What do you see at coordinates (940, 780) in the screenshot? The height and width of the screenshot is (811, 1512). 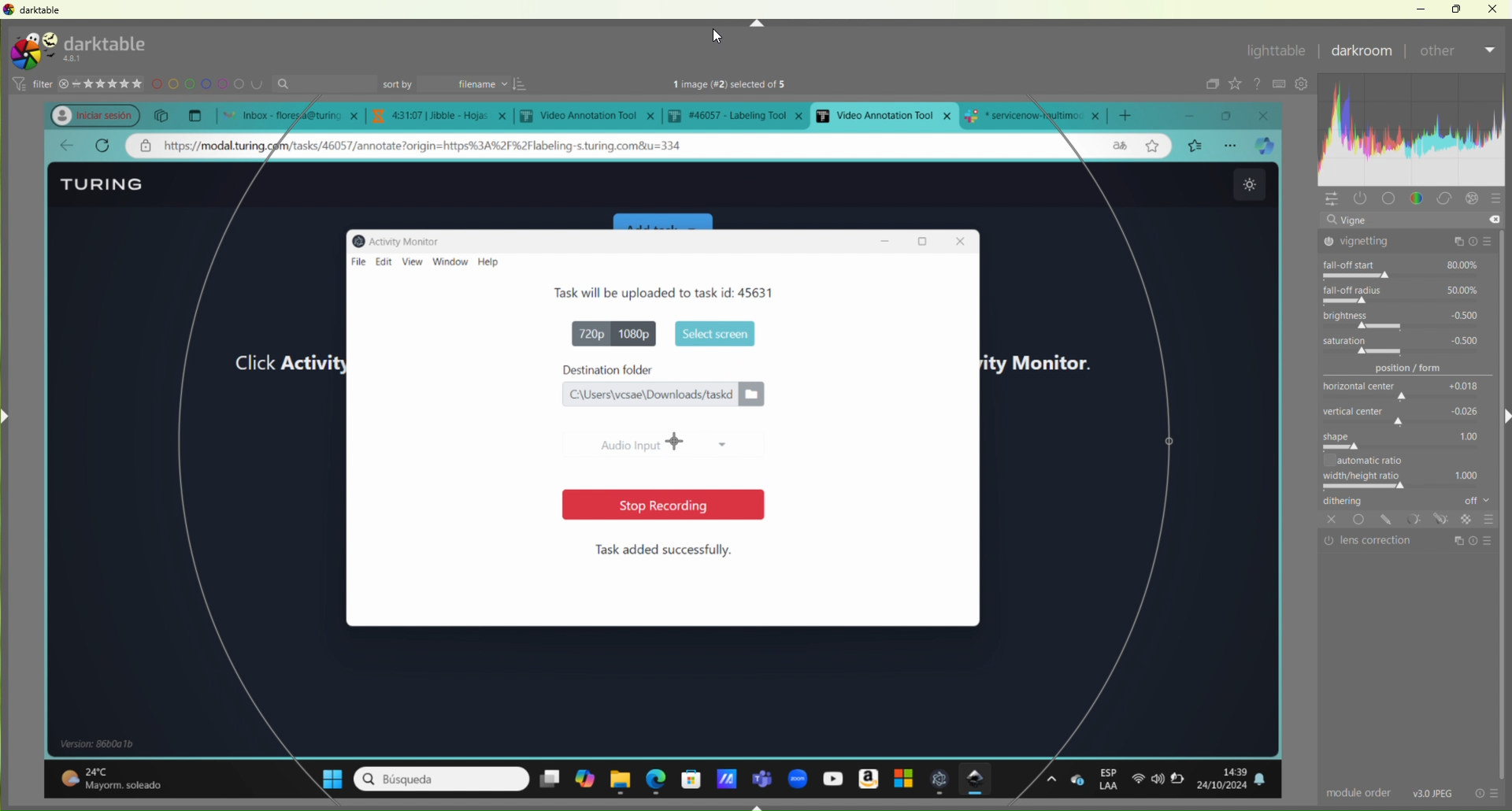 I see `open appliction` at bounding box center [940, 780].